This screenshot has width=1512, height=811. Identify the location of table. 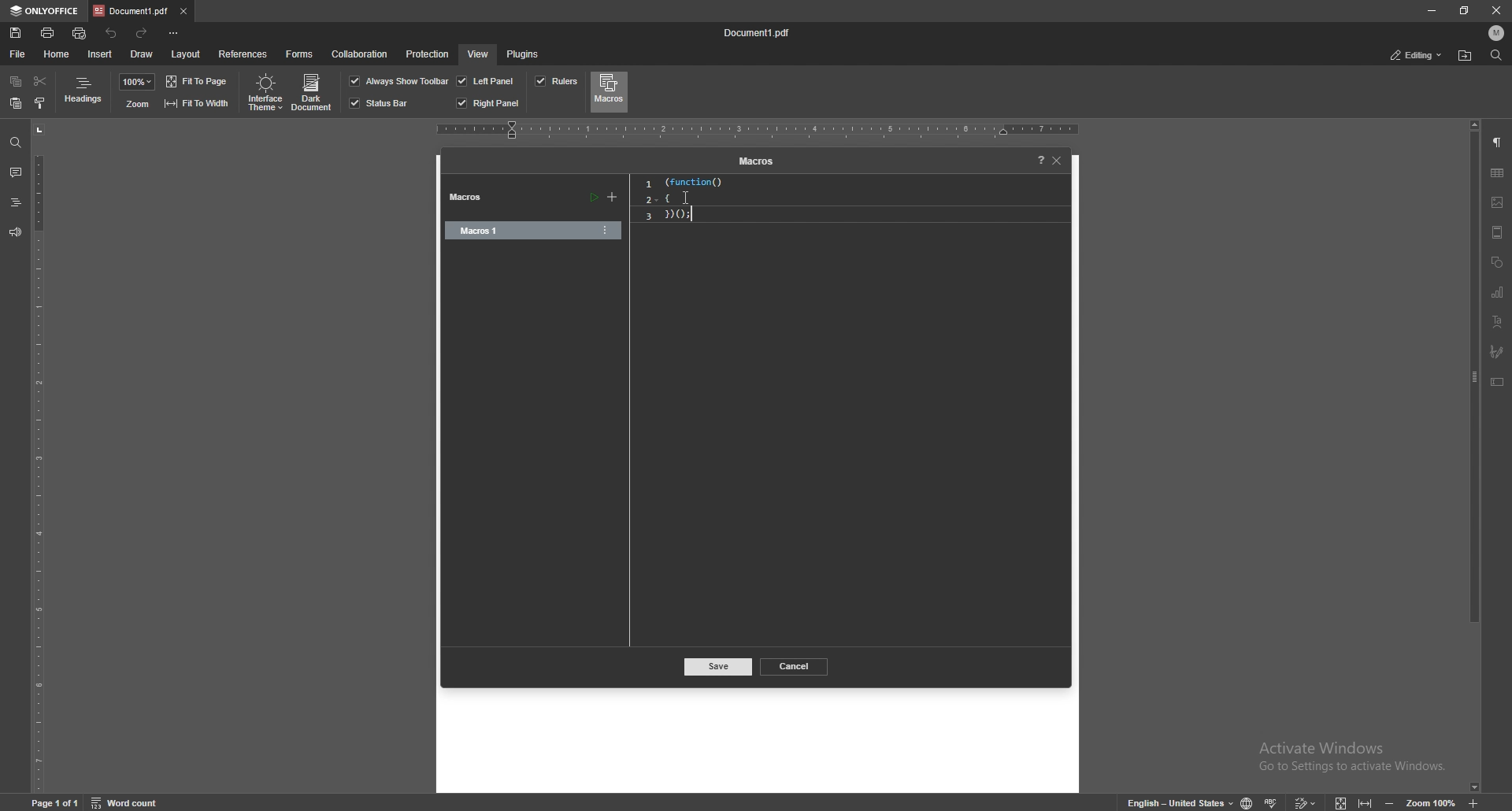
(1497, 173).